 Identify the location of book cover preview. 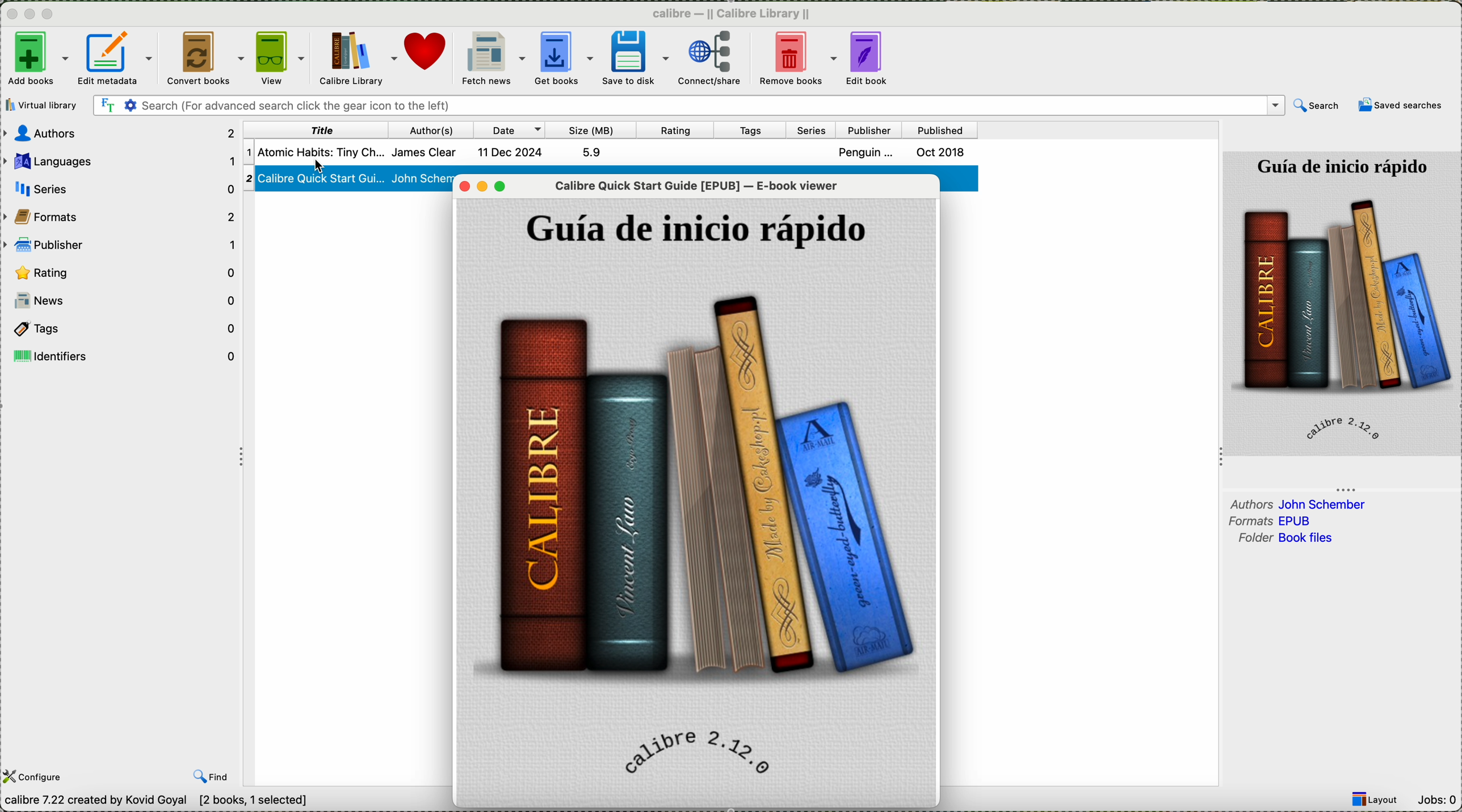
(1342, 305).